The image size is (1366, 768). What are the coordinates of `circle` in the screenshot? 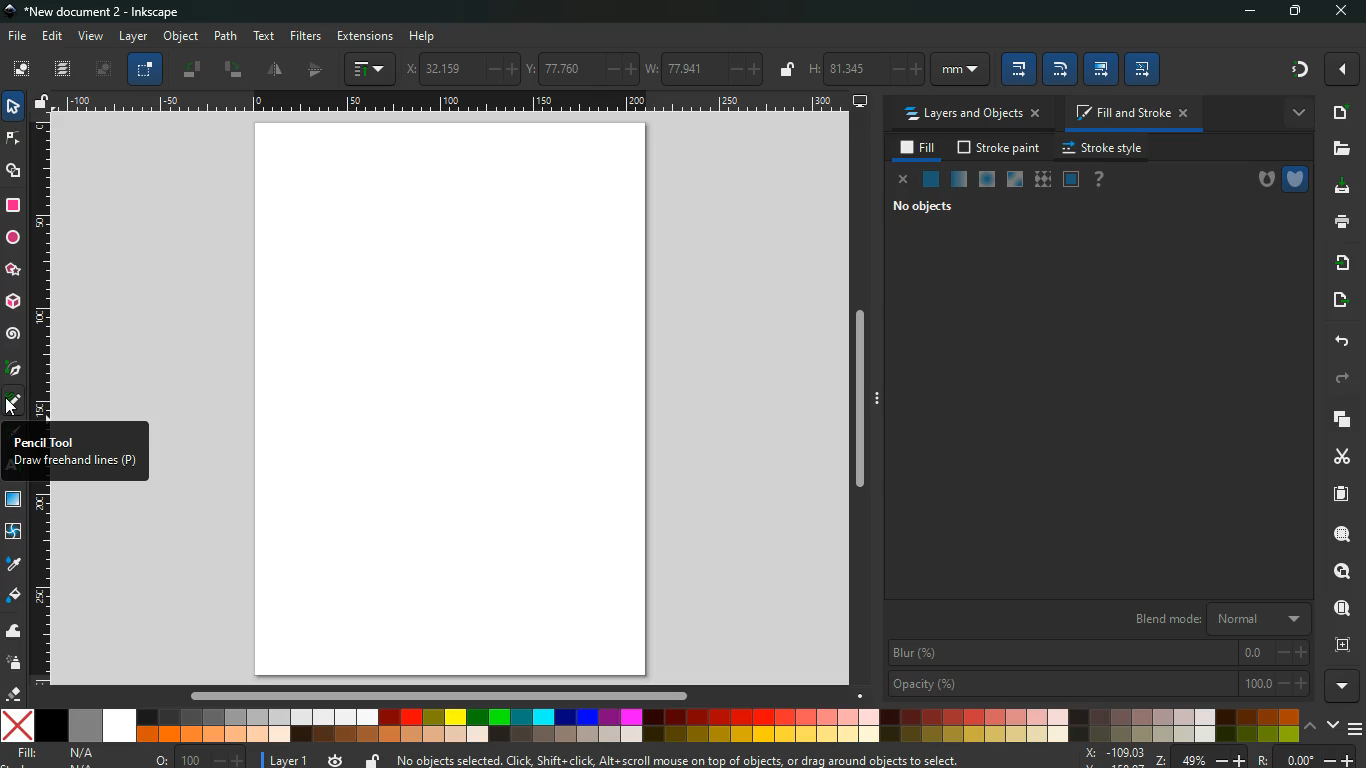 It's located at (12, 239).